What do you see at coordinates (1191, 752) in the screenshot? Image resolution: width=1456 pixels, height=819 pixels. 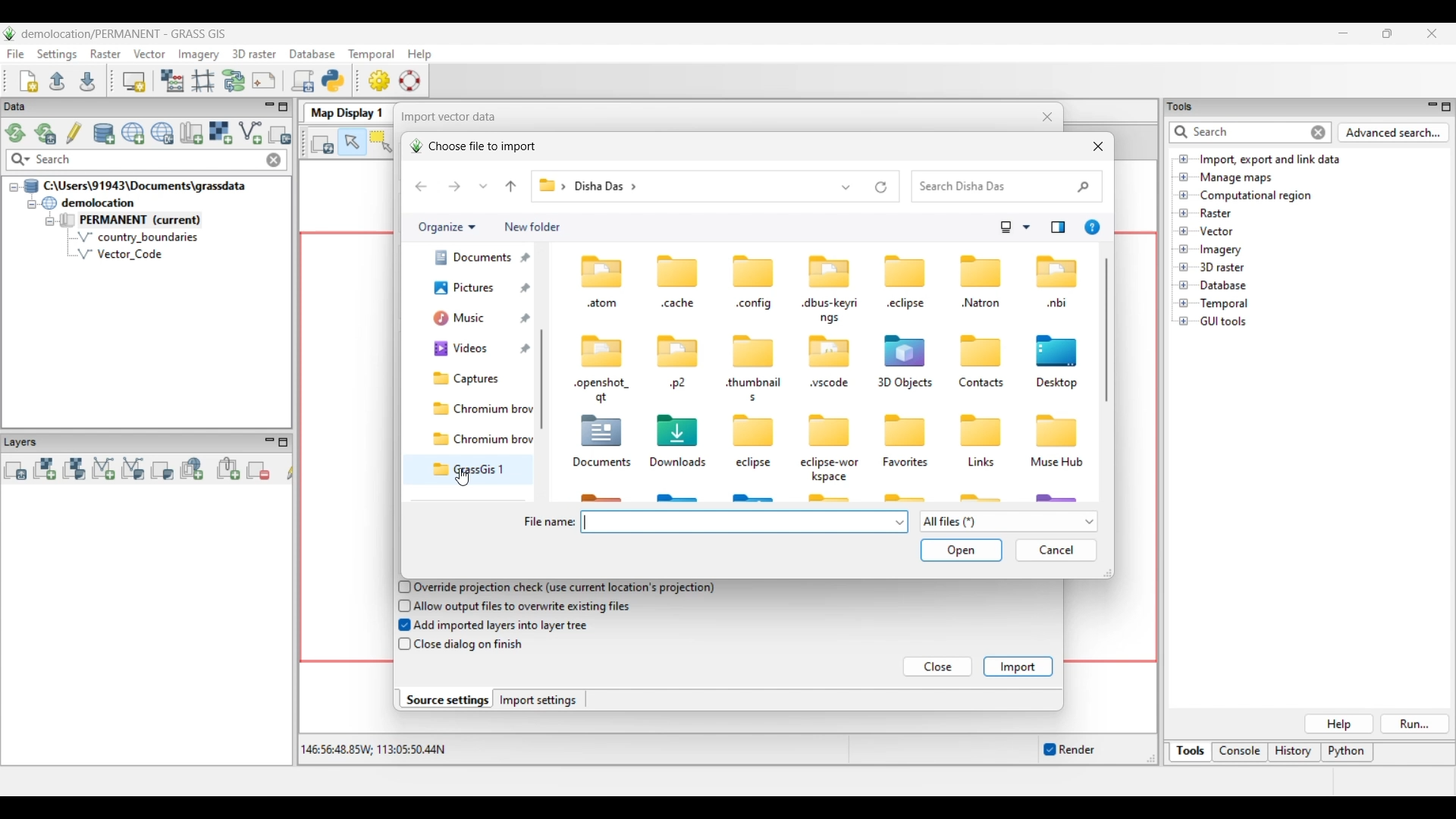 I see `Tools, current selection` at bounding box center [1191, 752].